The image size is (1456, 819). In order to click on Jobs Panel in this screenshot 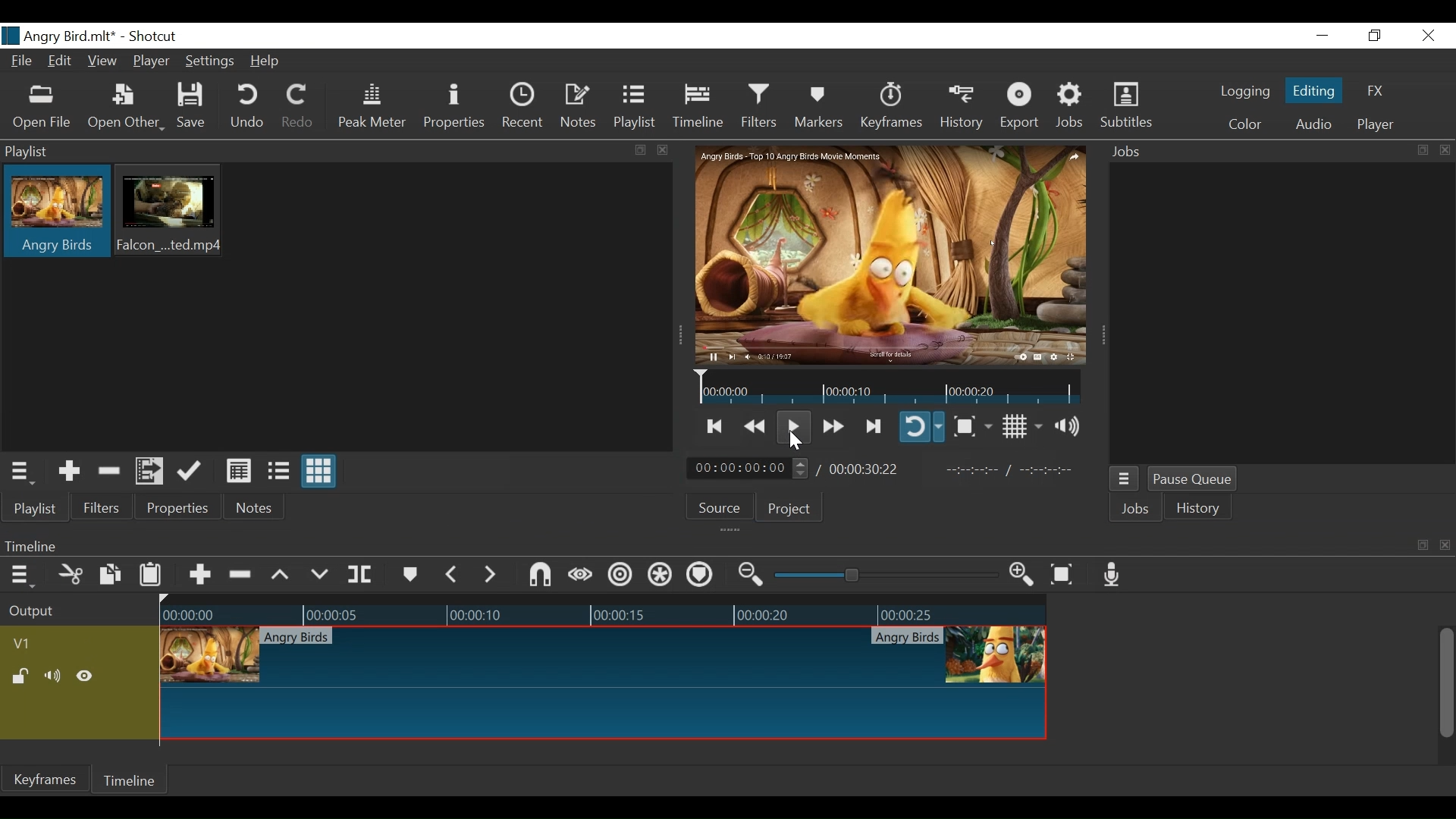, I will do `click(1277, 150)`.